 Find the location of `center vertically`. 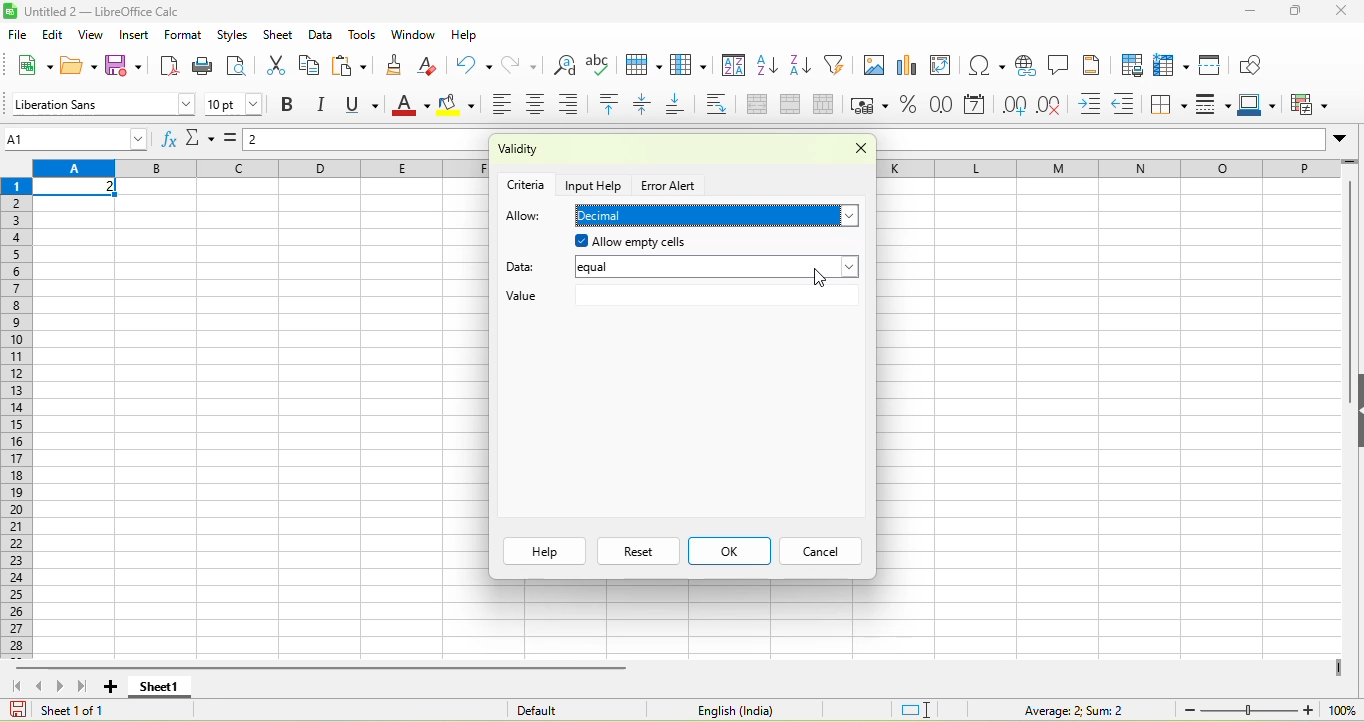

center vertically is located at coordinates (648, 105).